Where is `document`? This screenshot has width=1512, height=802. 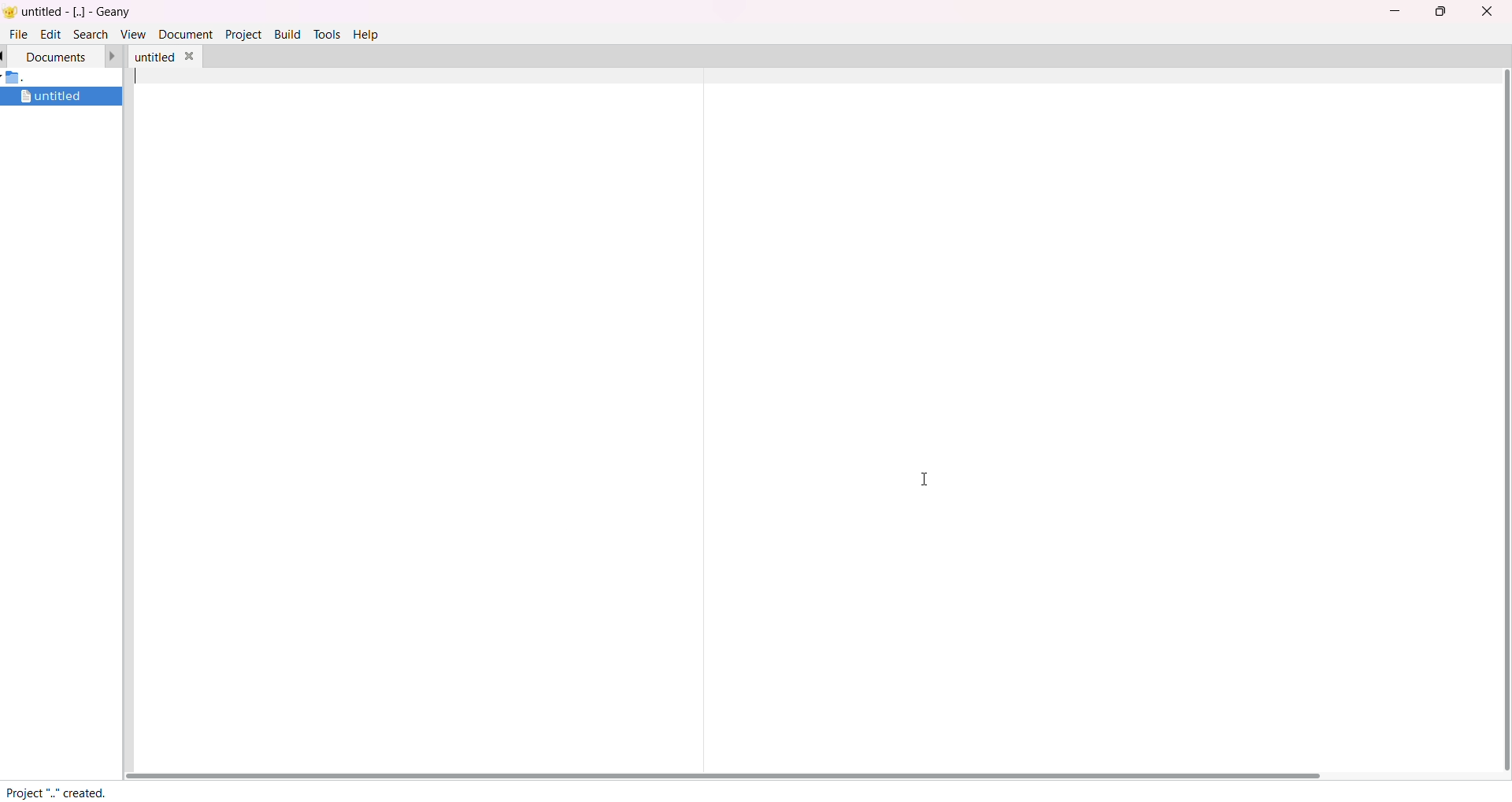 document is located at coordinates (185, 33).